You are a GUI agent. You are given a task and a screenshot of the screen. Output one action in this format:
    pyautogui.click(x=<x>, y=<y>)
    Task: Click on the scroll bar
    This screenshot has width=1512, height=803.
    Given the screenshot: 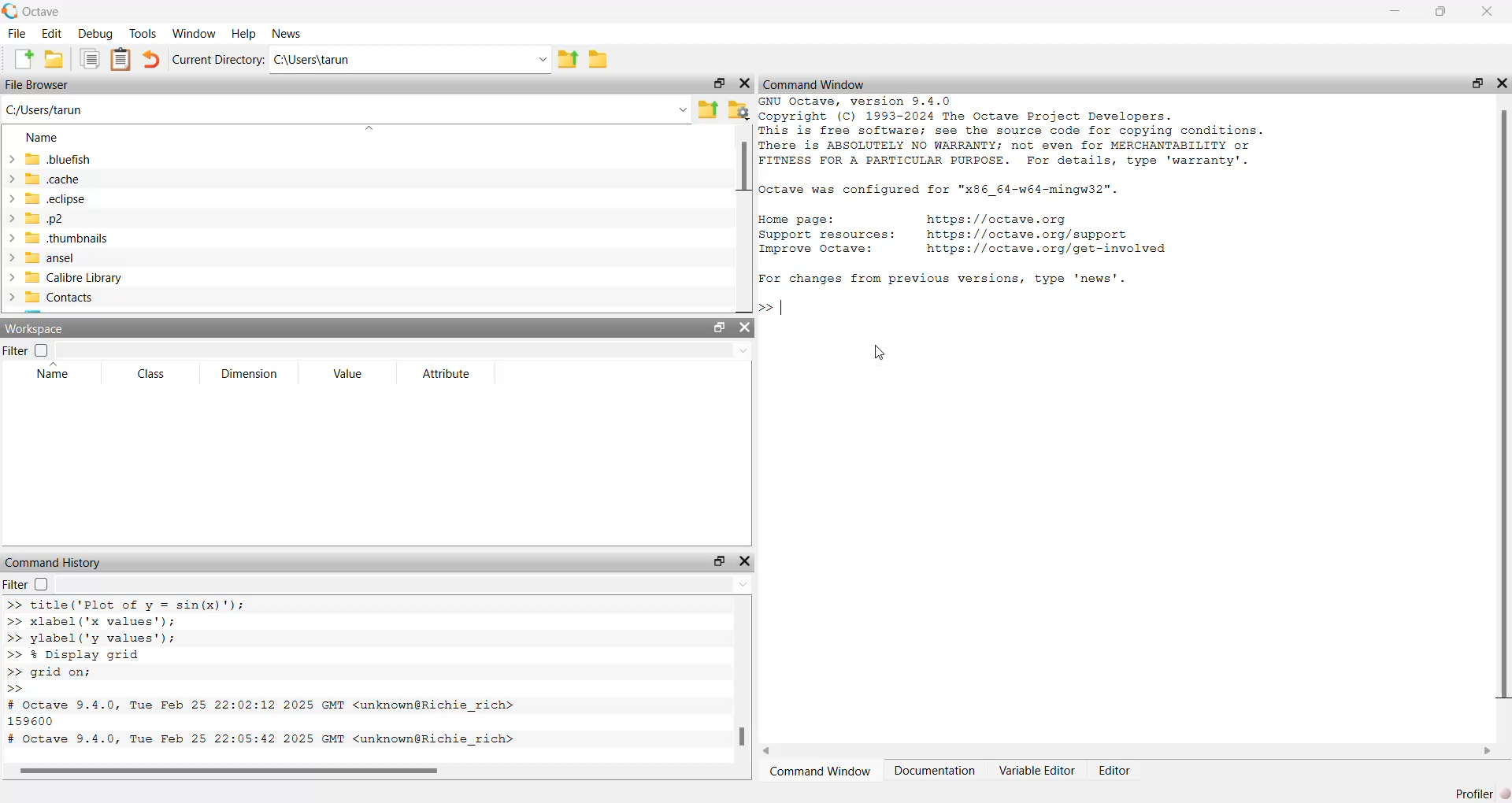 What is the action you would take?
    pyautogui.click(x=741, y=170)
    